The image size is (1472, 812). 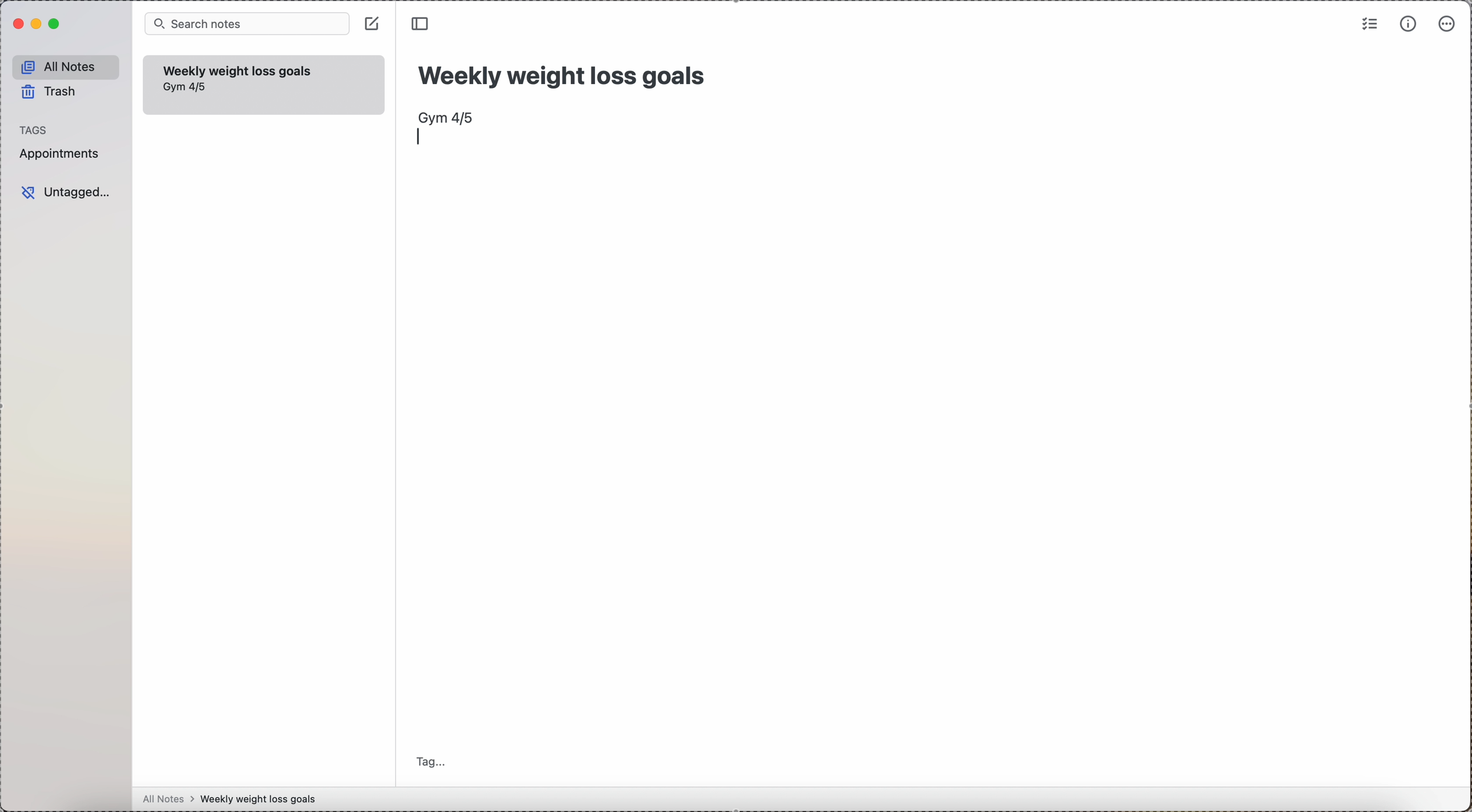 I want to click on create note, so click(x=373, y=23).